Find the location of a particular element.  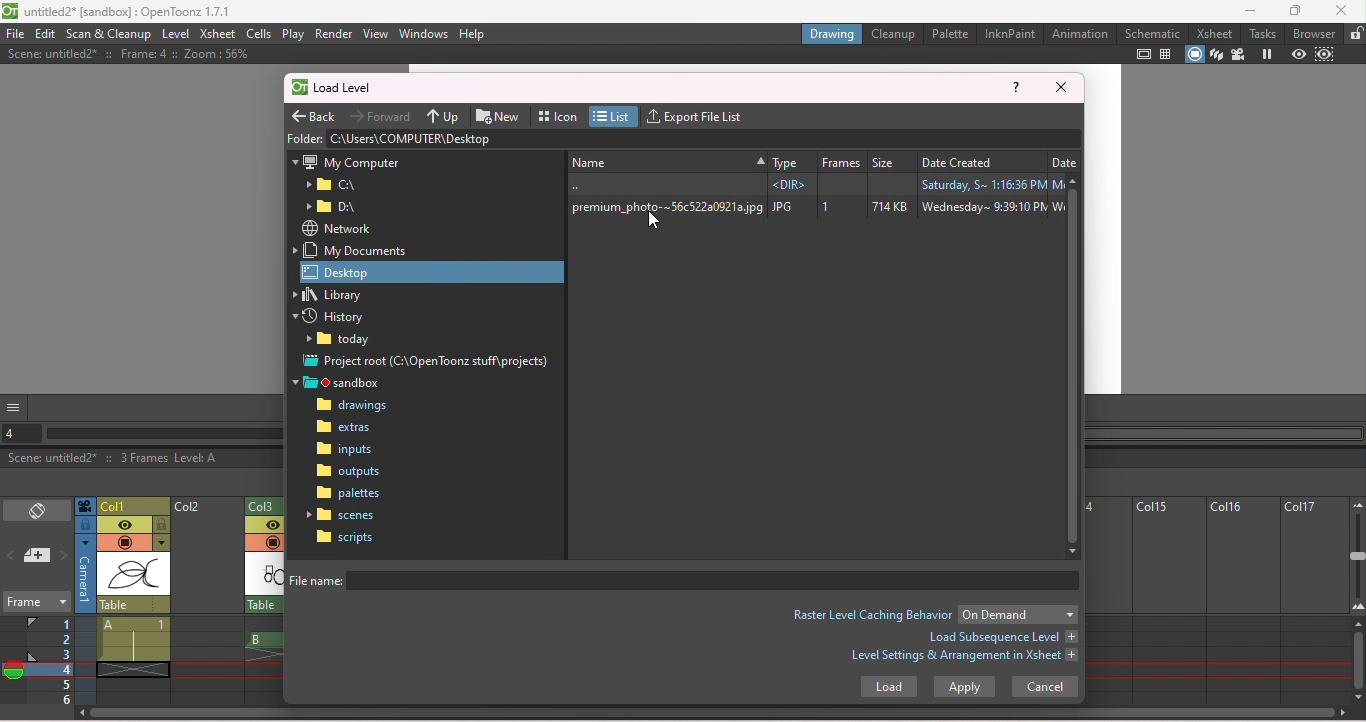

Freeze is located at coordinates (1266, 55).